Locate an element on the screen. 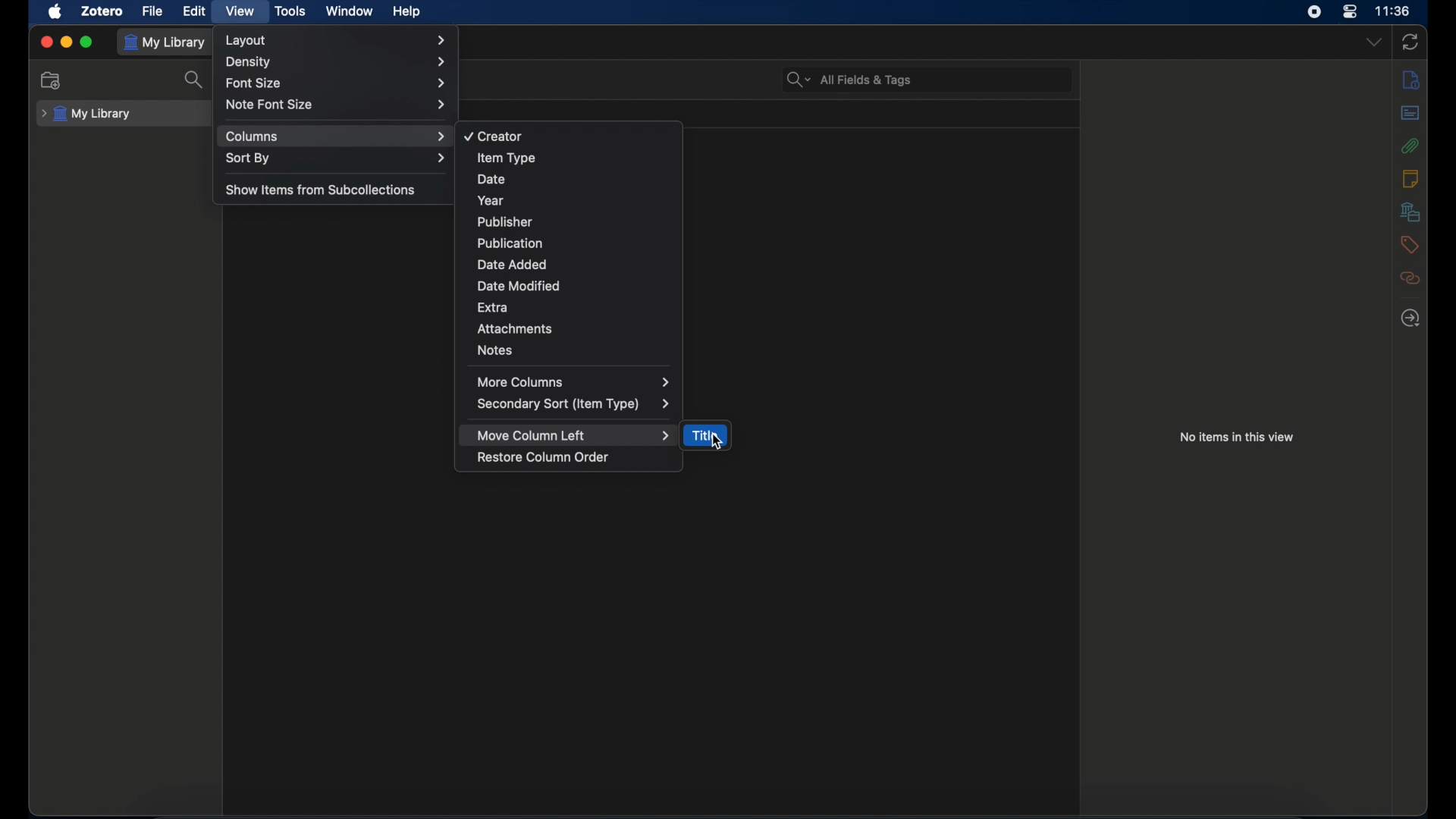 The height and width of the screenshot is (819, 1456). columns is located at coordinates (337, 136).